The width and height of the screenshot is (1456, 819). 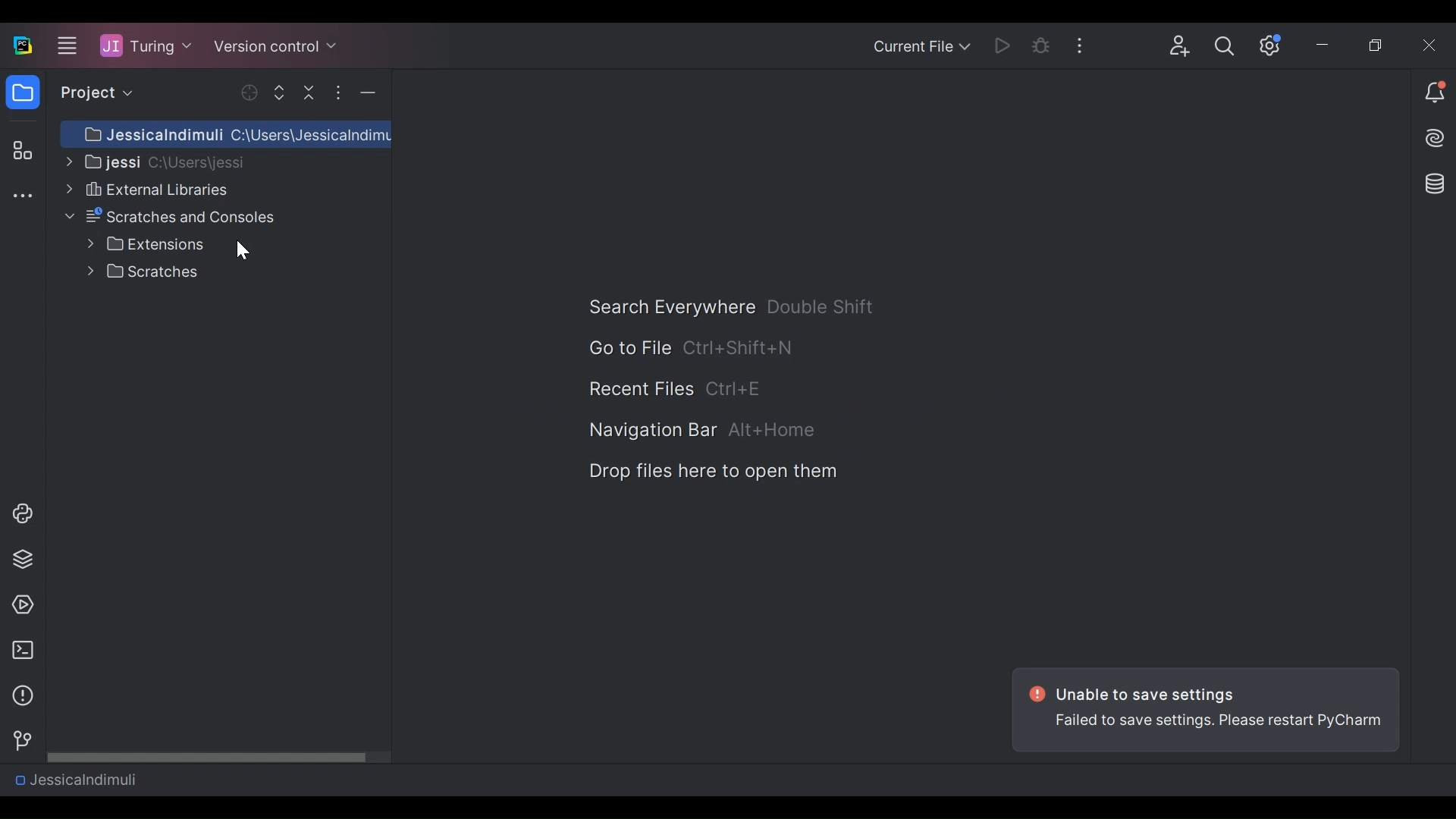 What do you see at coordinates (154, 161) in the screenshot?
I see `Project Directory` at bounding box center [154, 161].